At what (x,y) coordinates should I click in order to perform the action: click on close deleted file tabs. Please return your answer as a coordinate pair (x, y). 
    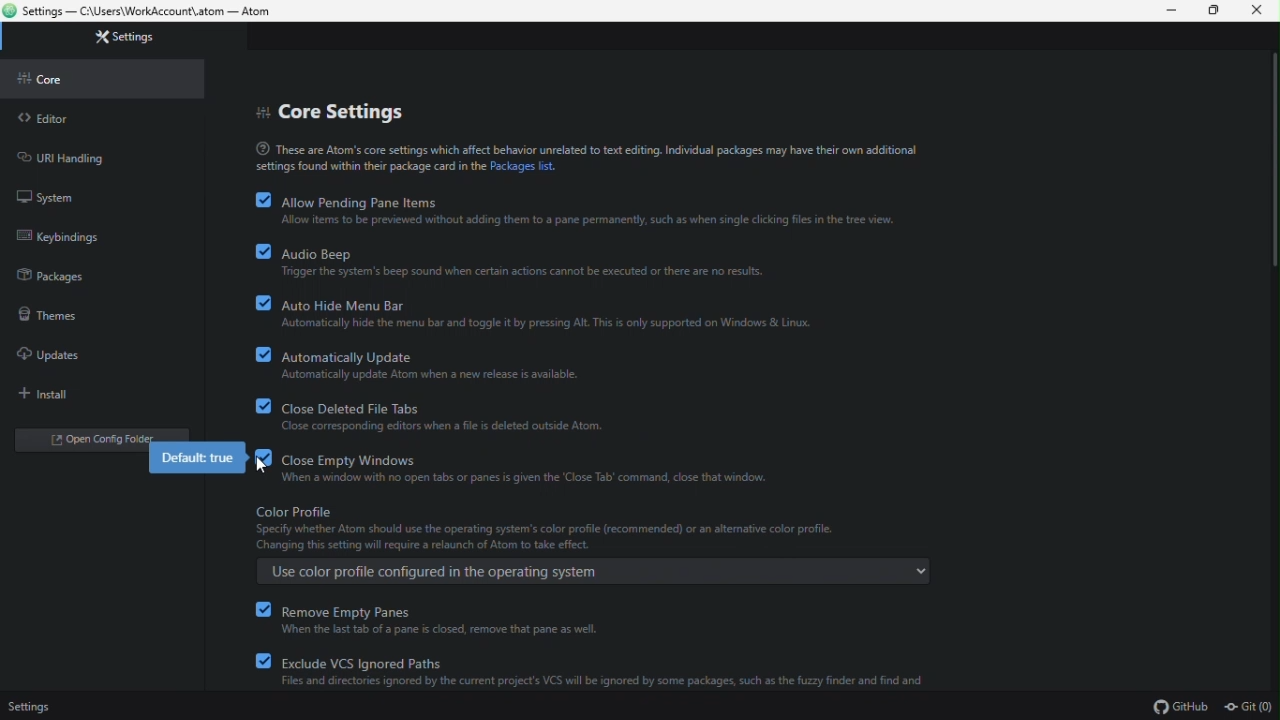
    Looking at the image, I should click on (445, 417).